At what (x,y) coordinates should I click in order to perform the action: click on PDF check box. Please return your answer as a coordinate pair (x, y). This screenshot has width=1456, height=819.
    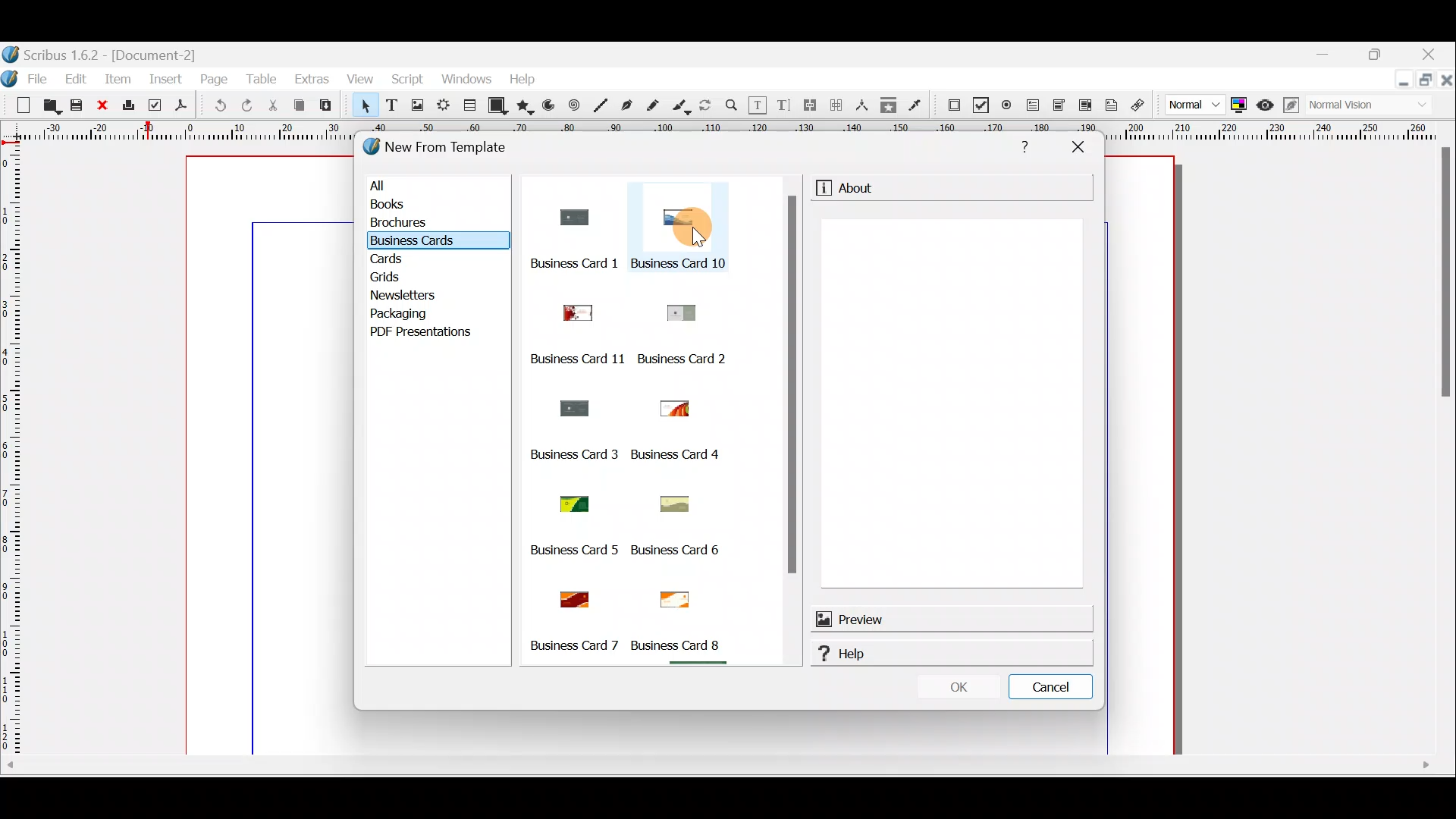
    Looking at the image, I should click on (979, 105).